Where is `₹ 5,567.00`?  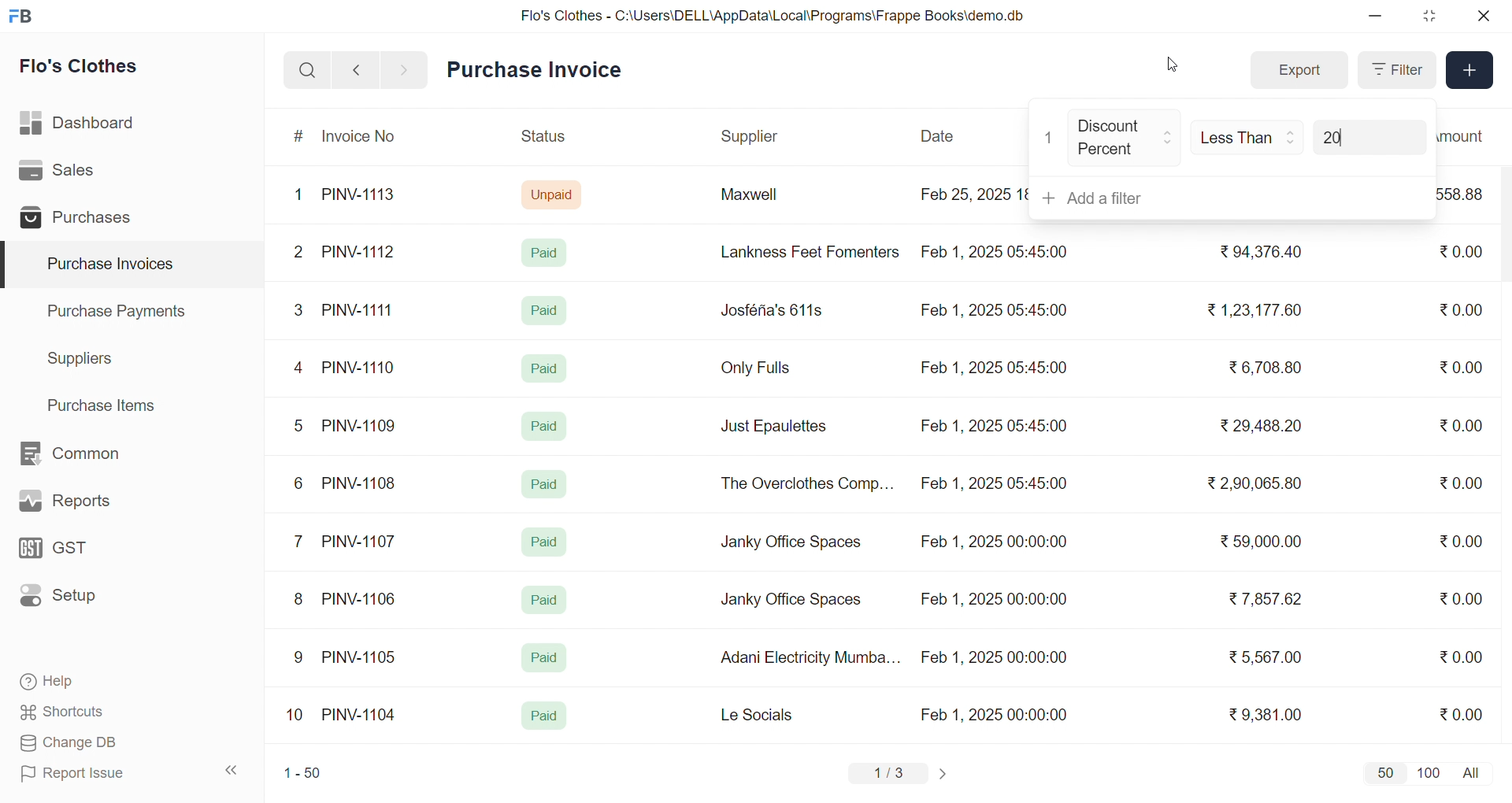
₹ 5,567.00 is located at coordinates (1262, 657).